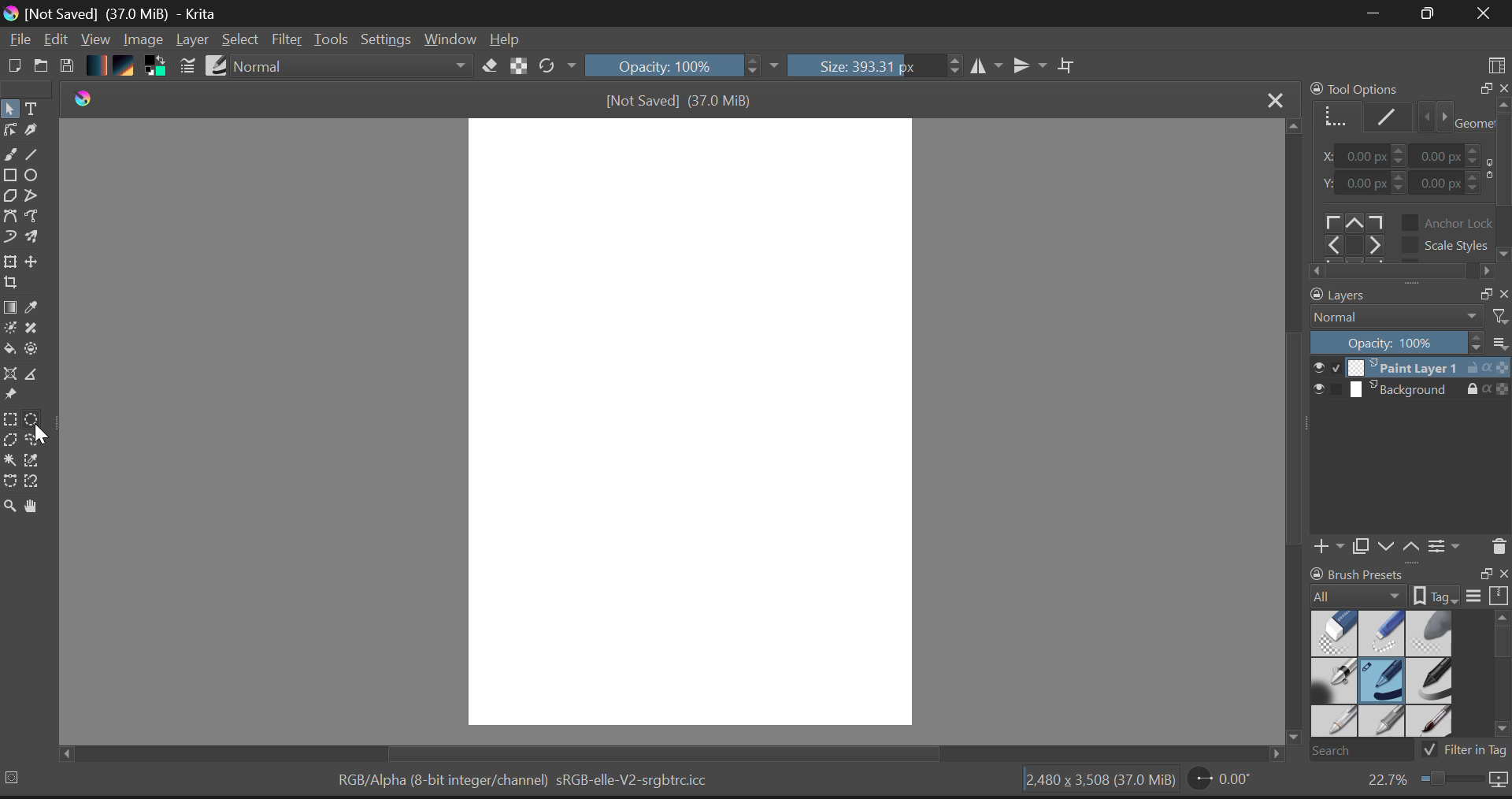 The image size is (1512, 799). I want to click on Choose Workspace, so click(1496, 60).